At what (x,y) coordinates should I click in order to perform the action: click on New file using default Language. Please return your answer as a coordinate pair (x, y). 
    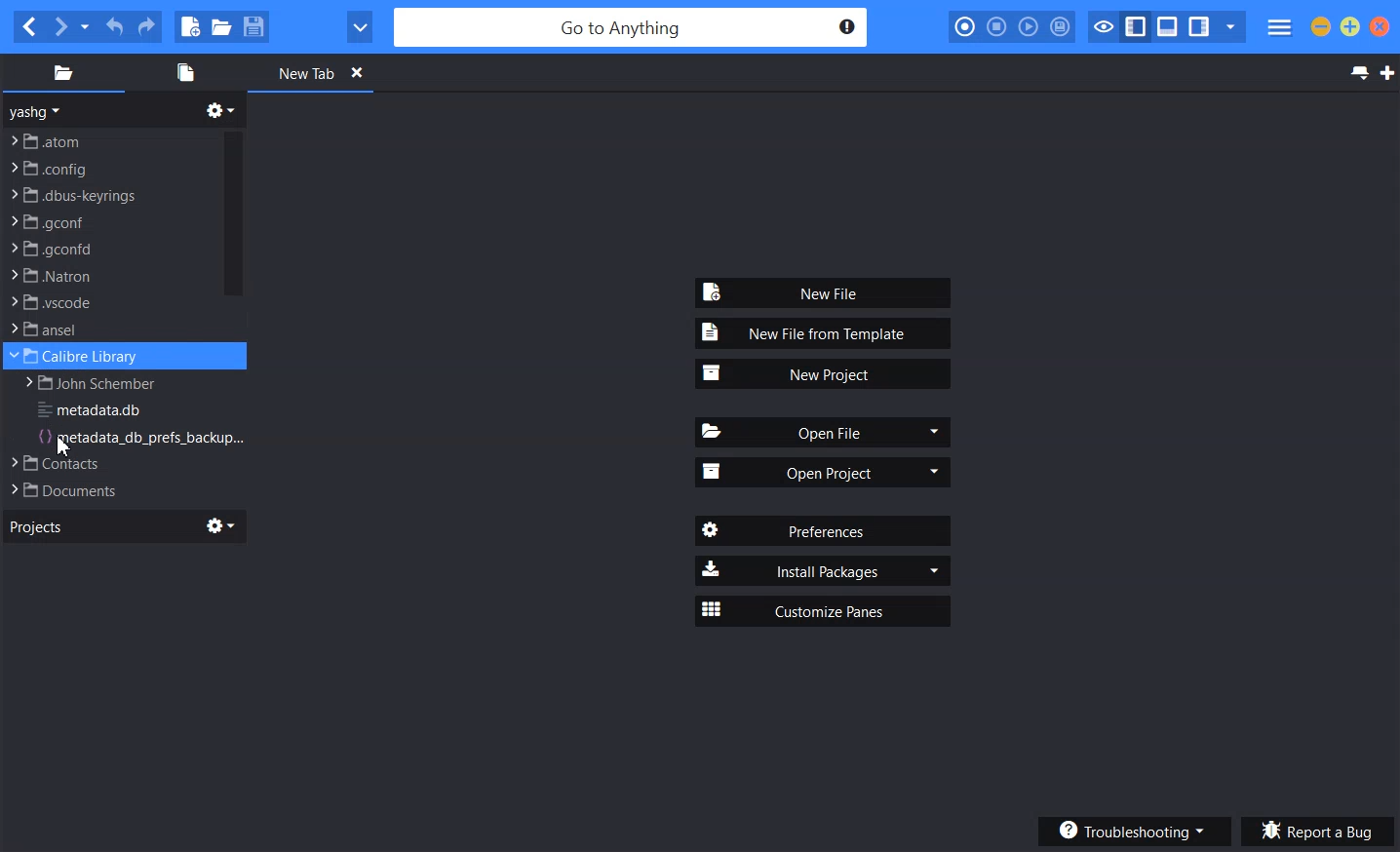
    Looking at the image, I should click on (190, 27).